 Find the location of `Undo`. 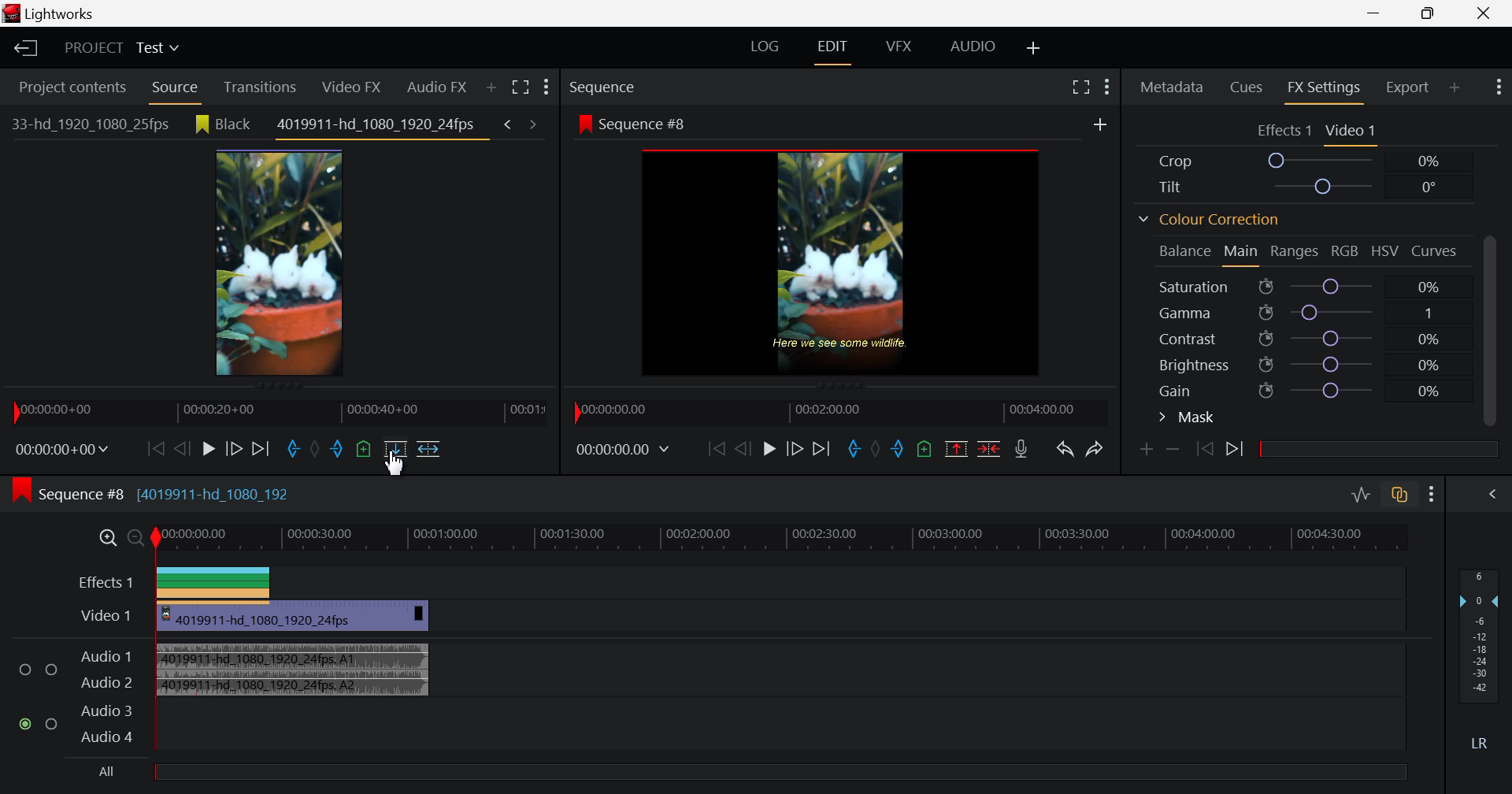

Undo is located at coordinates (1065, 450).